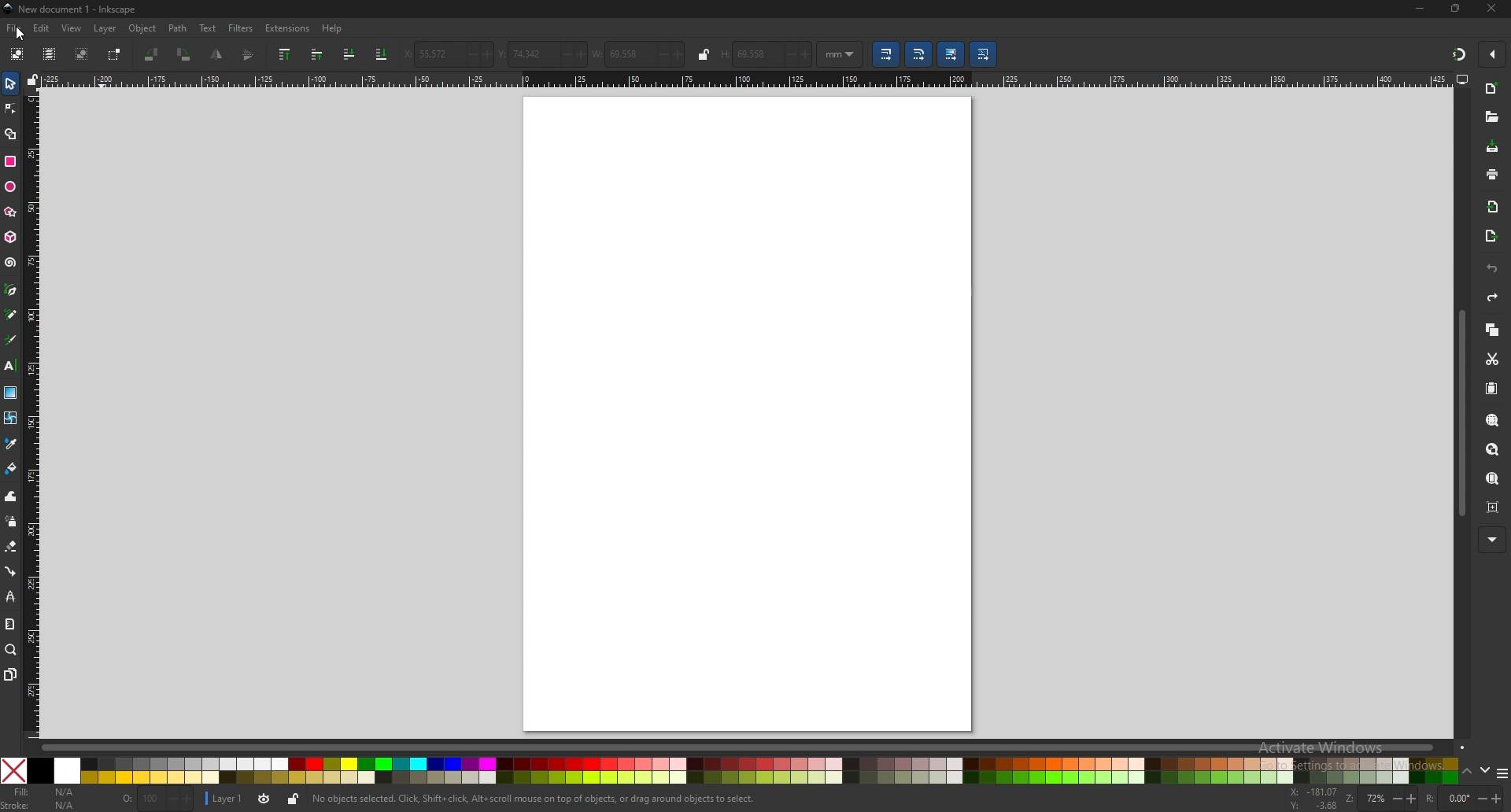  What do you see at coordinates (11, 522) in the screenshot?
I see `spray` at bounding box center [11, 522].